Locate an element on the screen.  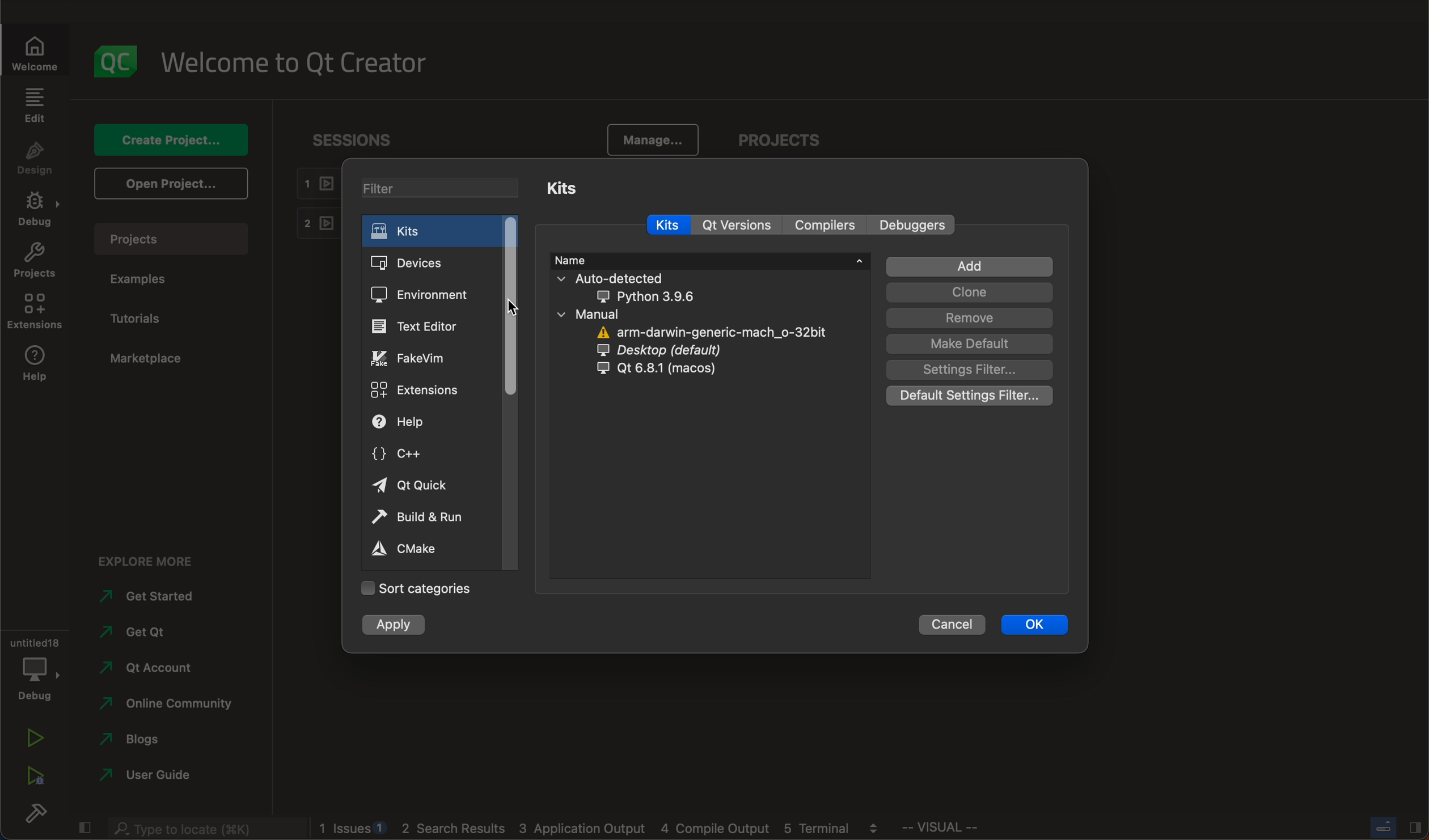
extensions is located at coordinates (420, 391).